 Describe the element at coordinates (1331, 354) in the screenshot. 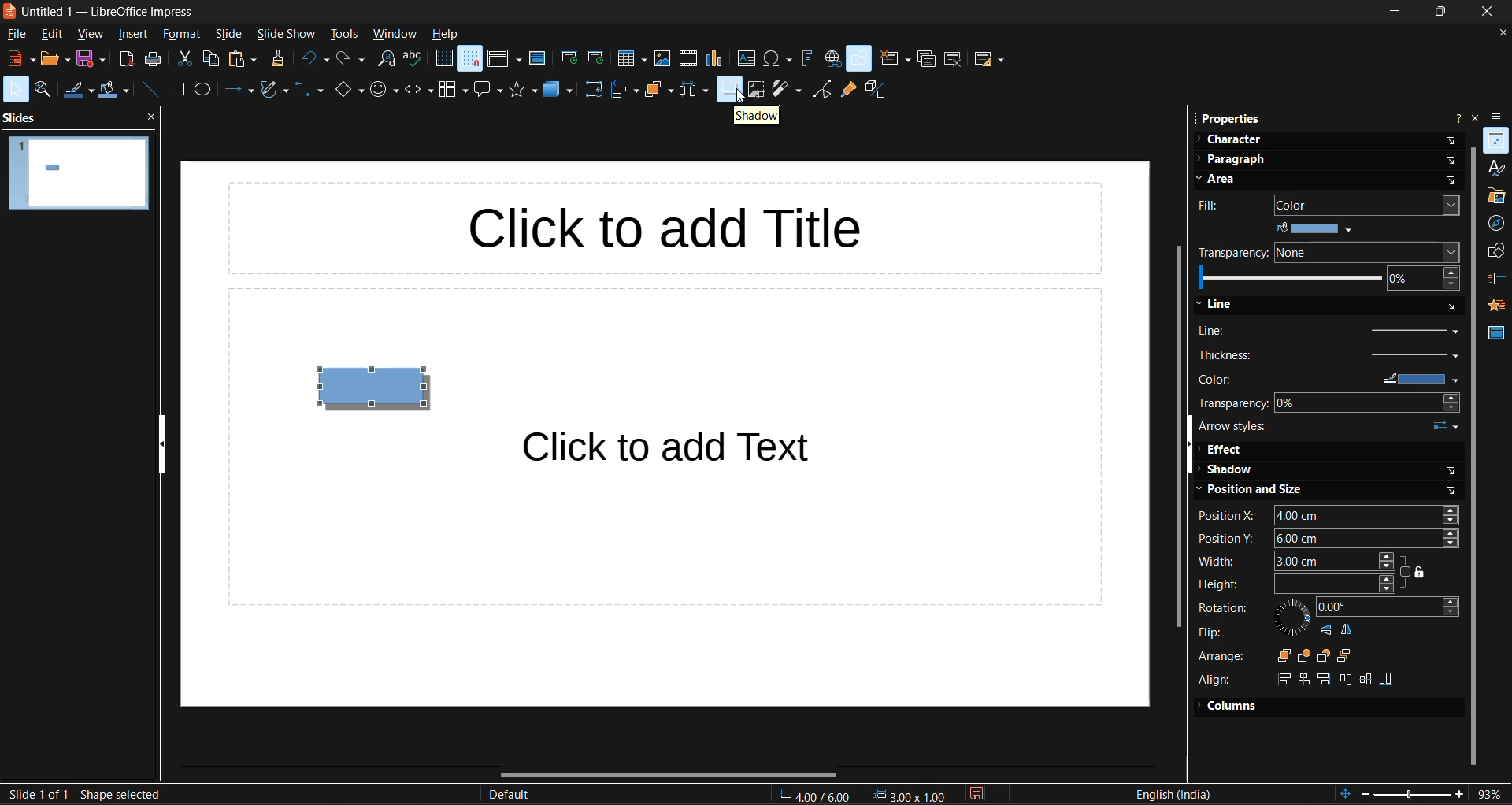

I see `thickness` at that location.